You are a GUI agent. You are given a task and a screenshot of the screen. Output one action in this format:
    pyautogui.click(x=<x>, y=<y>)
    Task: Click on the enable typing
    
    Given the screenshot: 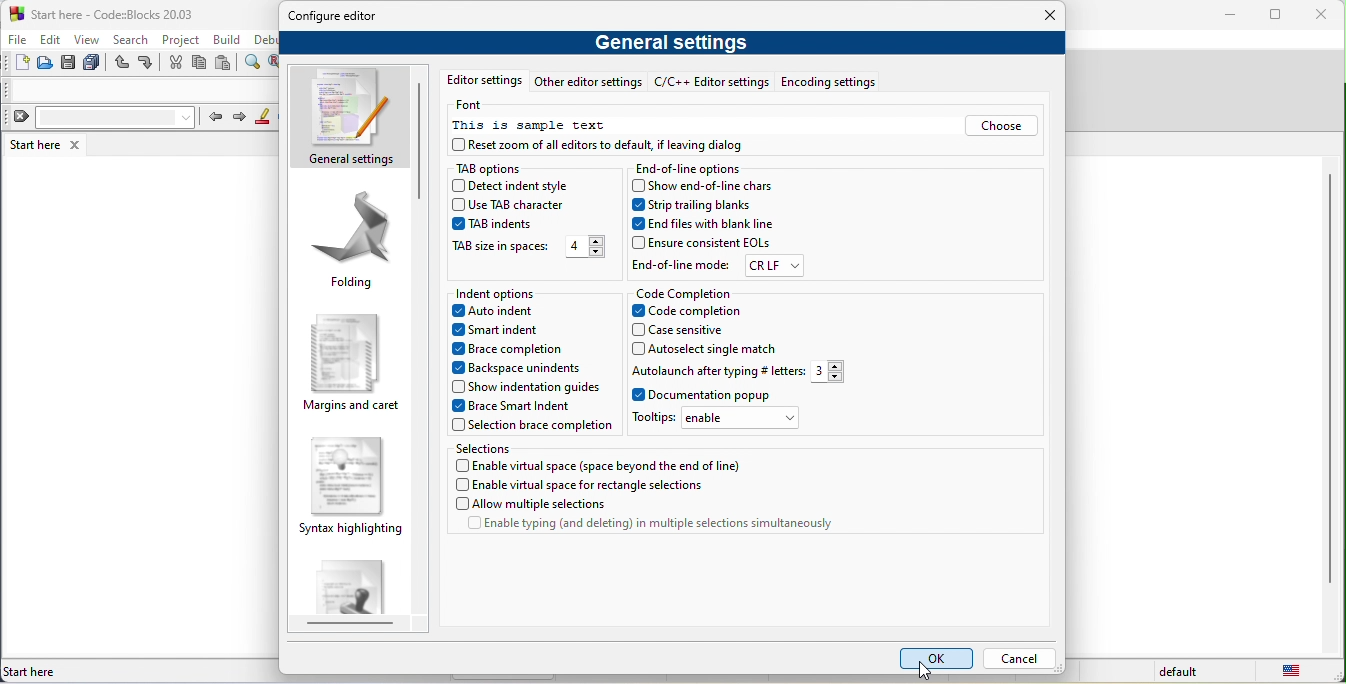 What is the action you would take?
    pyautogui.click(x=655, y=525)
    